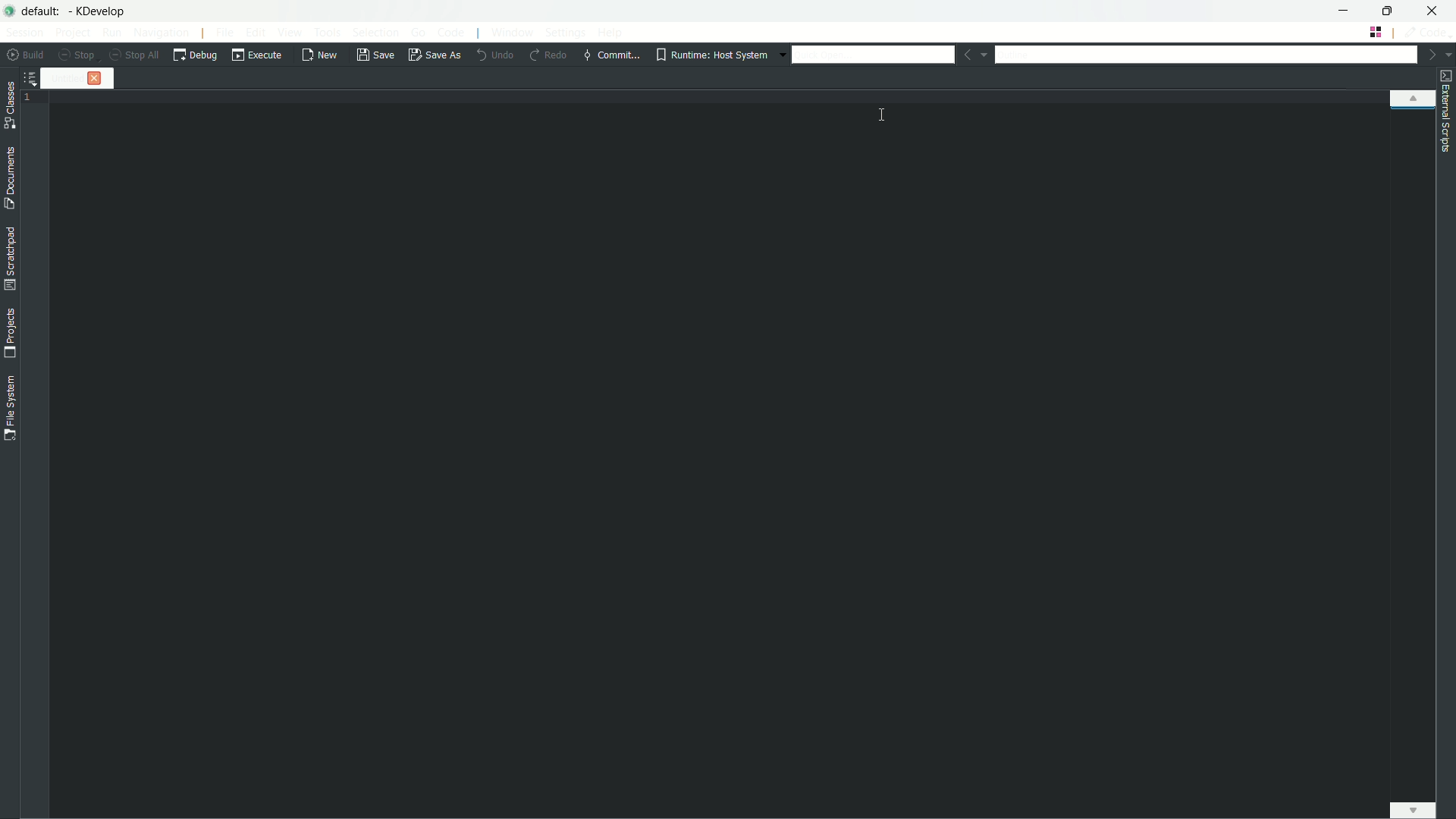 The width and height of the screenshot is (1456, 819). What do you see at coordinates (328, 33) in the screenshot?
I see `tools` at bounding box center [328, 33].